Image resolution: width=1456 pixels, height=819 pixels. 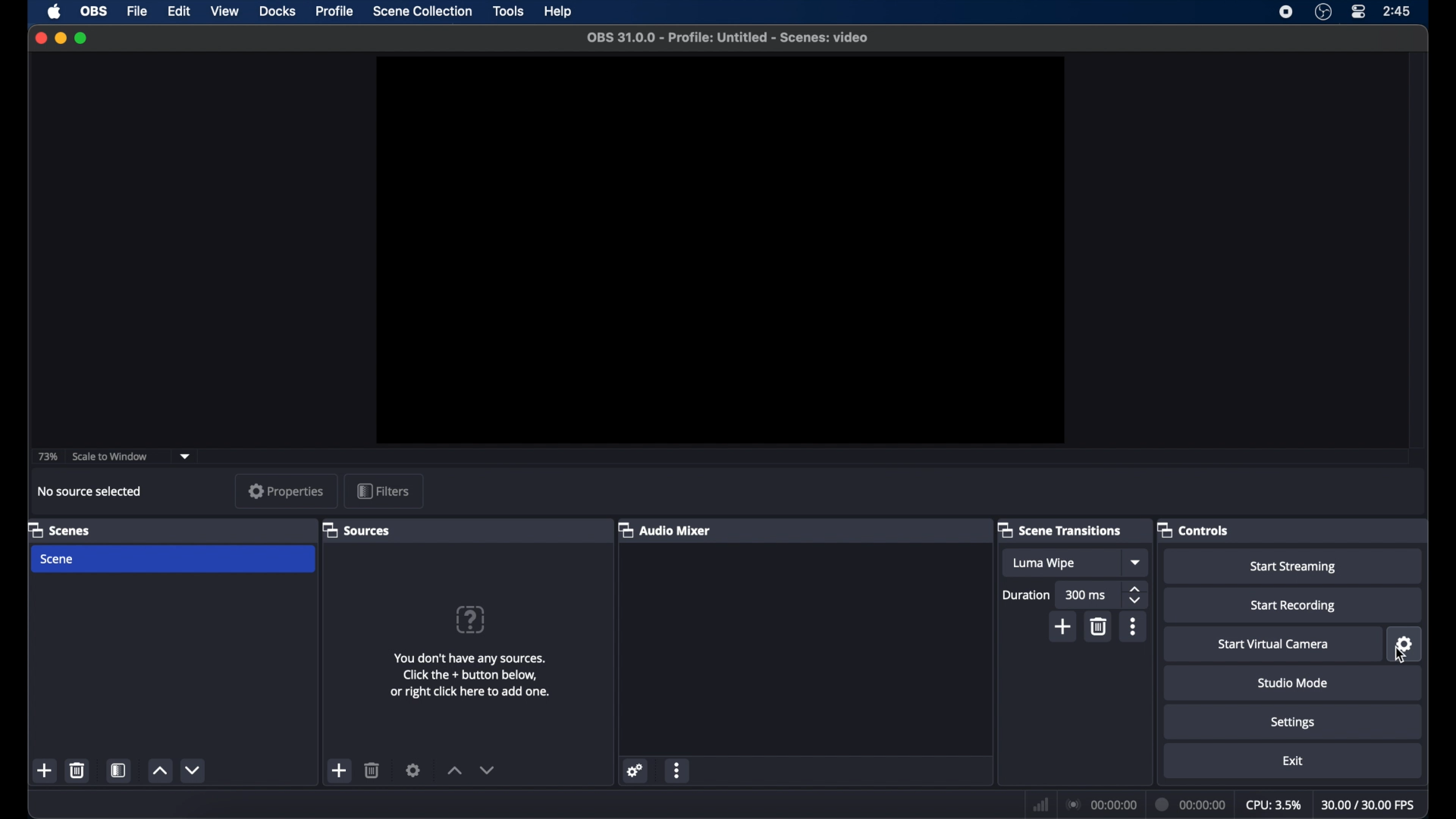 I want to click on file name, so click(x=730, y=36).